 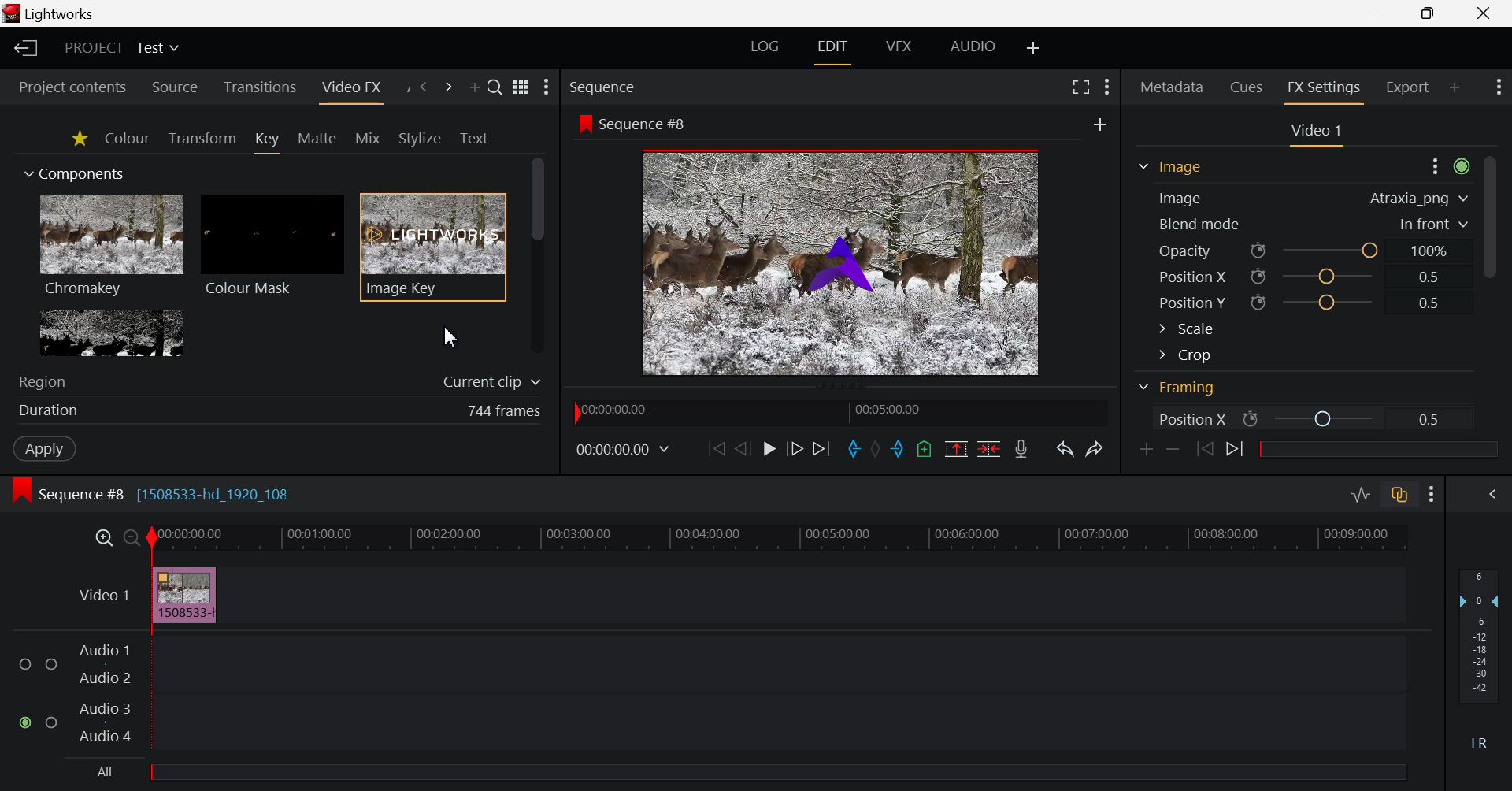 I want to click on 100%, so click(x=1429, y=249).